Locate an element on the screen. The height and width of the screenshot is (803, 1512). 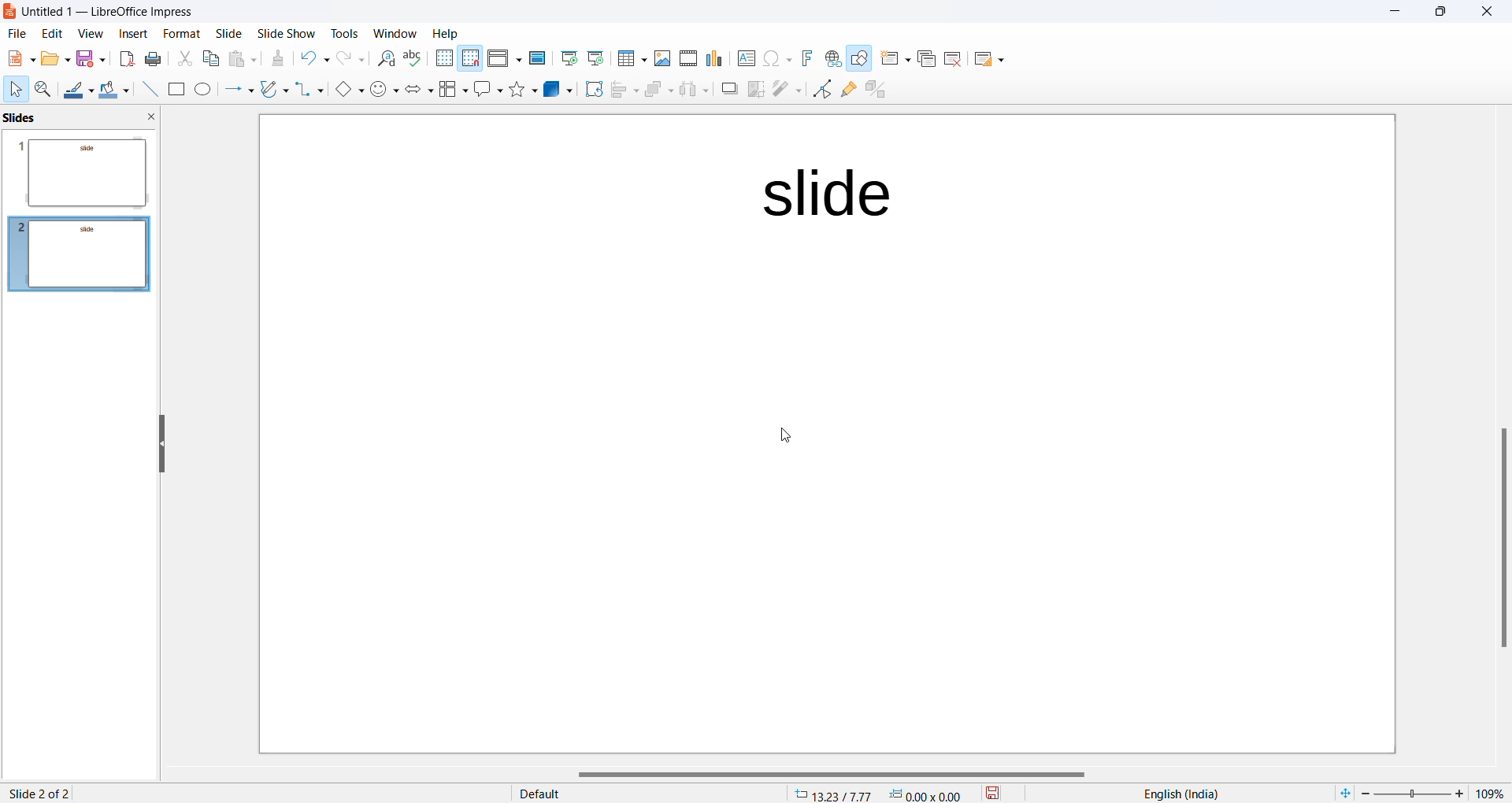
display type is located at coordinates (626, 794).